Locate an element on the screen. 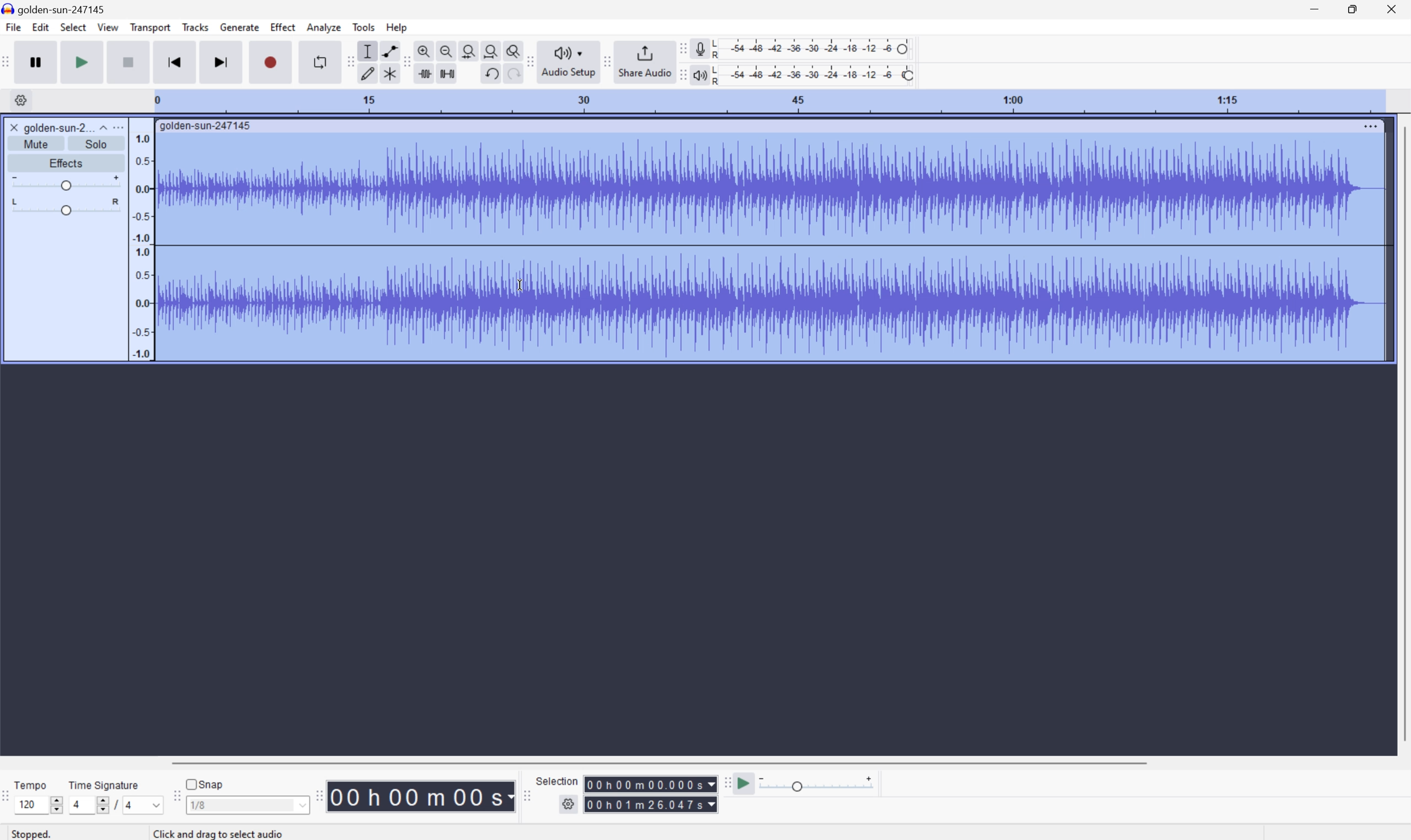 The image size is (1411, 840). Record / Record new track is located at coordinates (270, 61).